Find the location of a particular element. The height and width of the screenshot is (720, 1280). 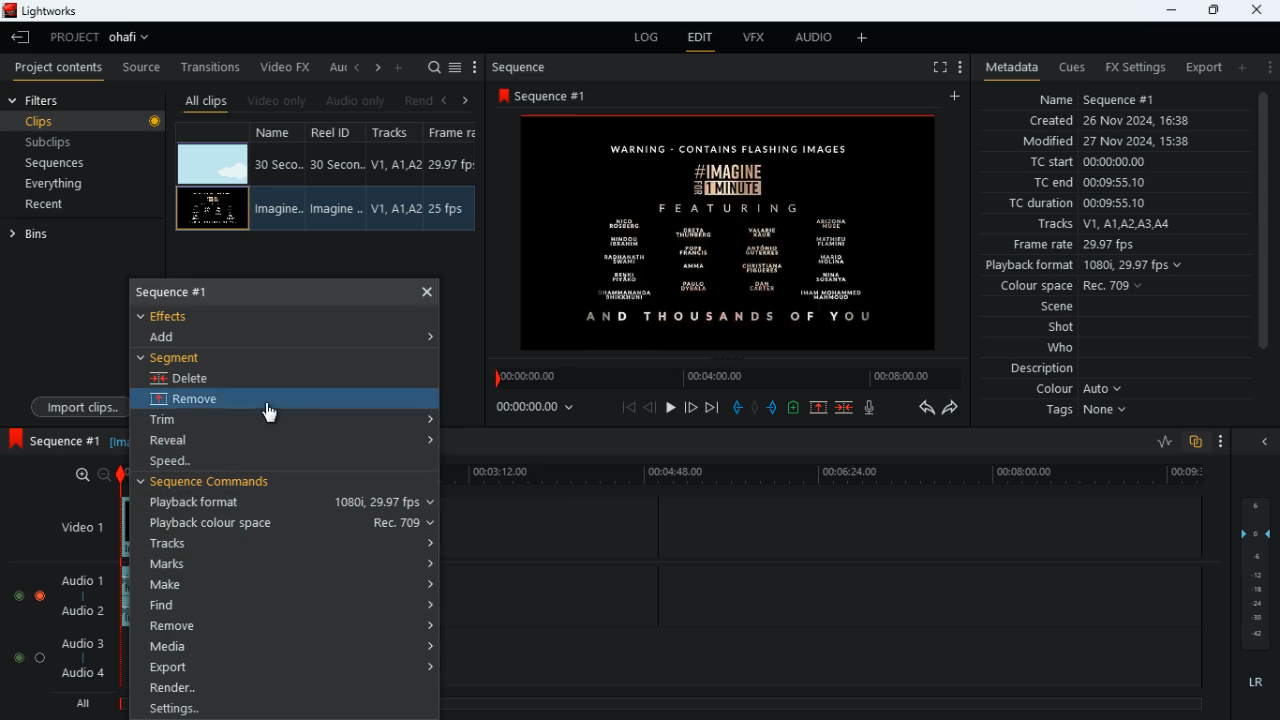

maximize is located at coordinates (1210, 12).